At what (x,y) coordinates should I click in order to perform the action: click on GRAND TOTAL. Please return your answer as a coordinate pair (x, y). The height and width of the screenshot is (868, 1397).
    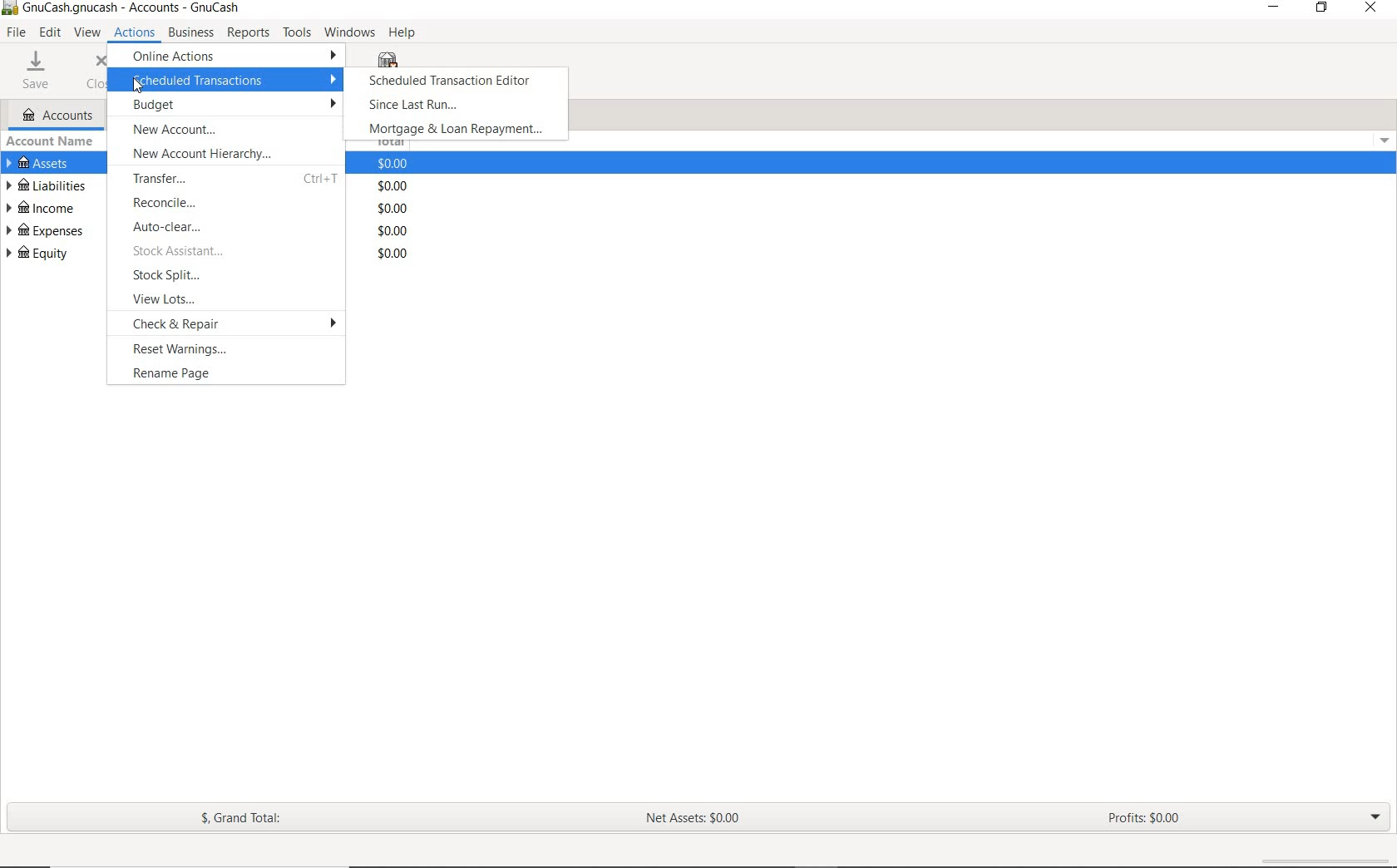
    Looking at the image, I should click on (242, 818).